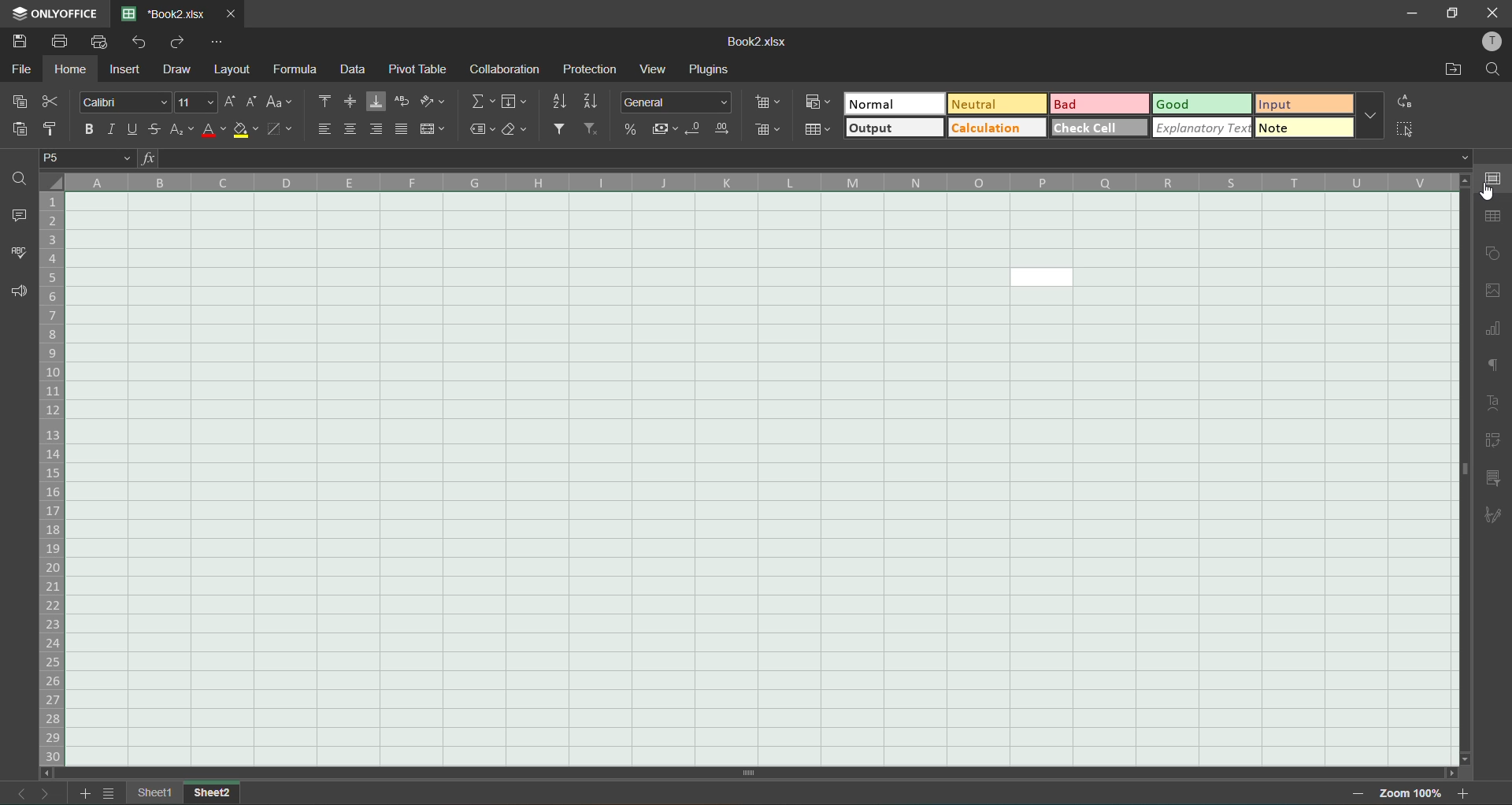 The image size is (1512, 805). Describe the element at coordinates (1464, 793) in the screenshot. I see `zoom in` at that location.